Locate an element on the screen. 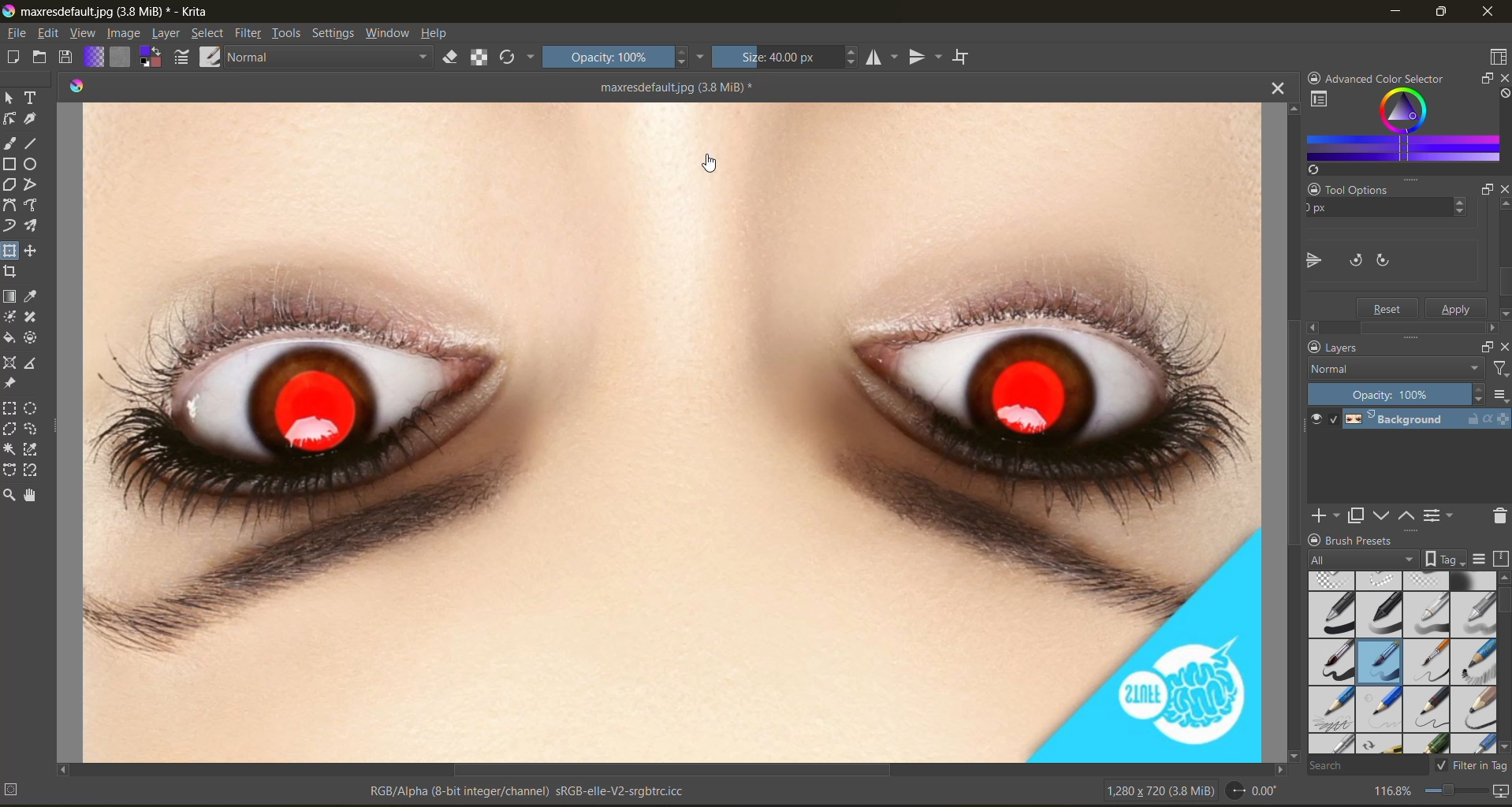 This screenshot has height=807, width=1512. tool is located at coordinates (35, 493).